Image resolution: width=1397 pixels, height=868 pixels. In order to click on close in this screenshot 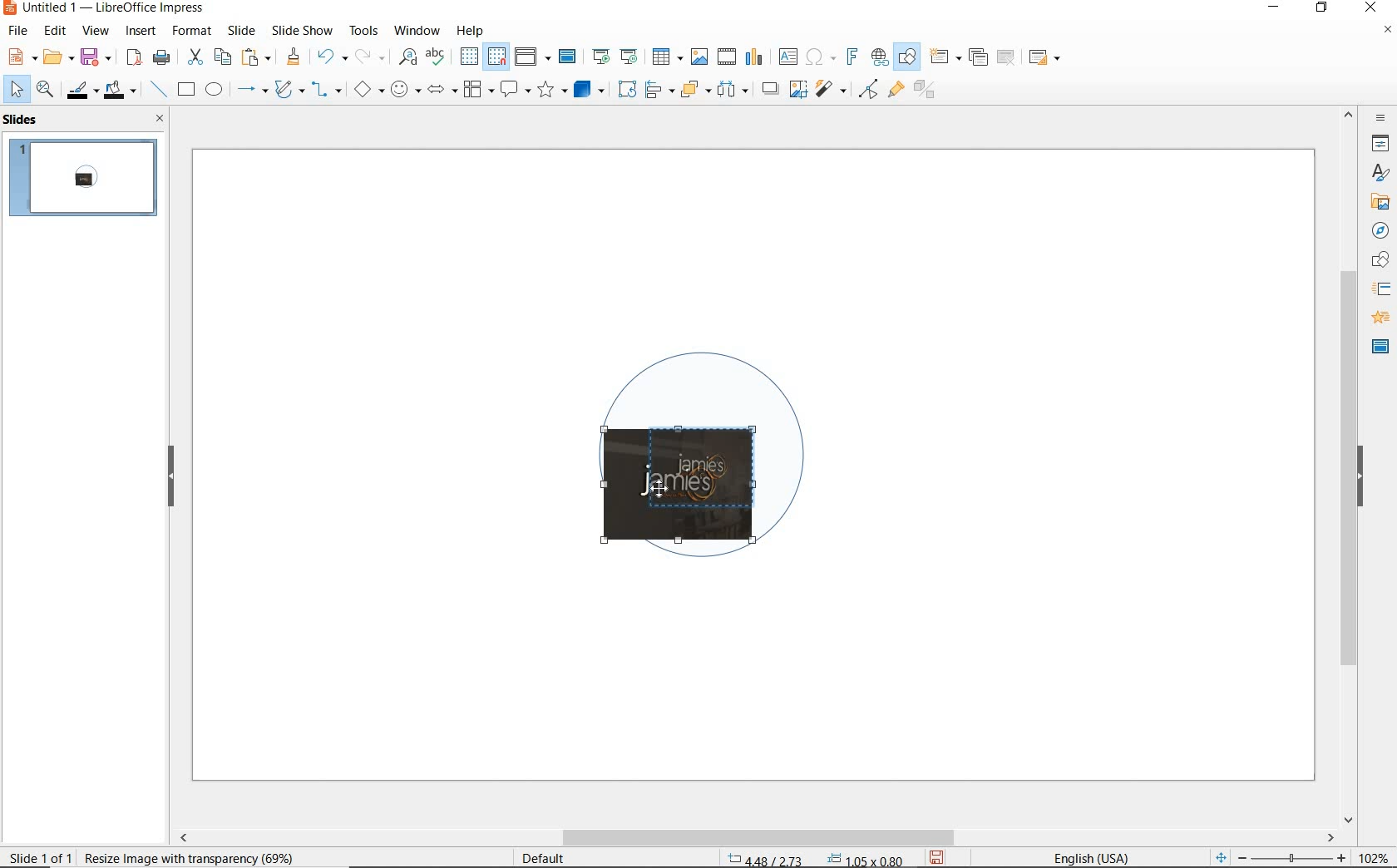, I will do `click(155, 118)`.